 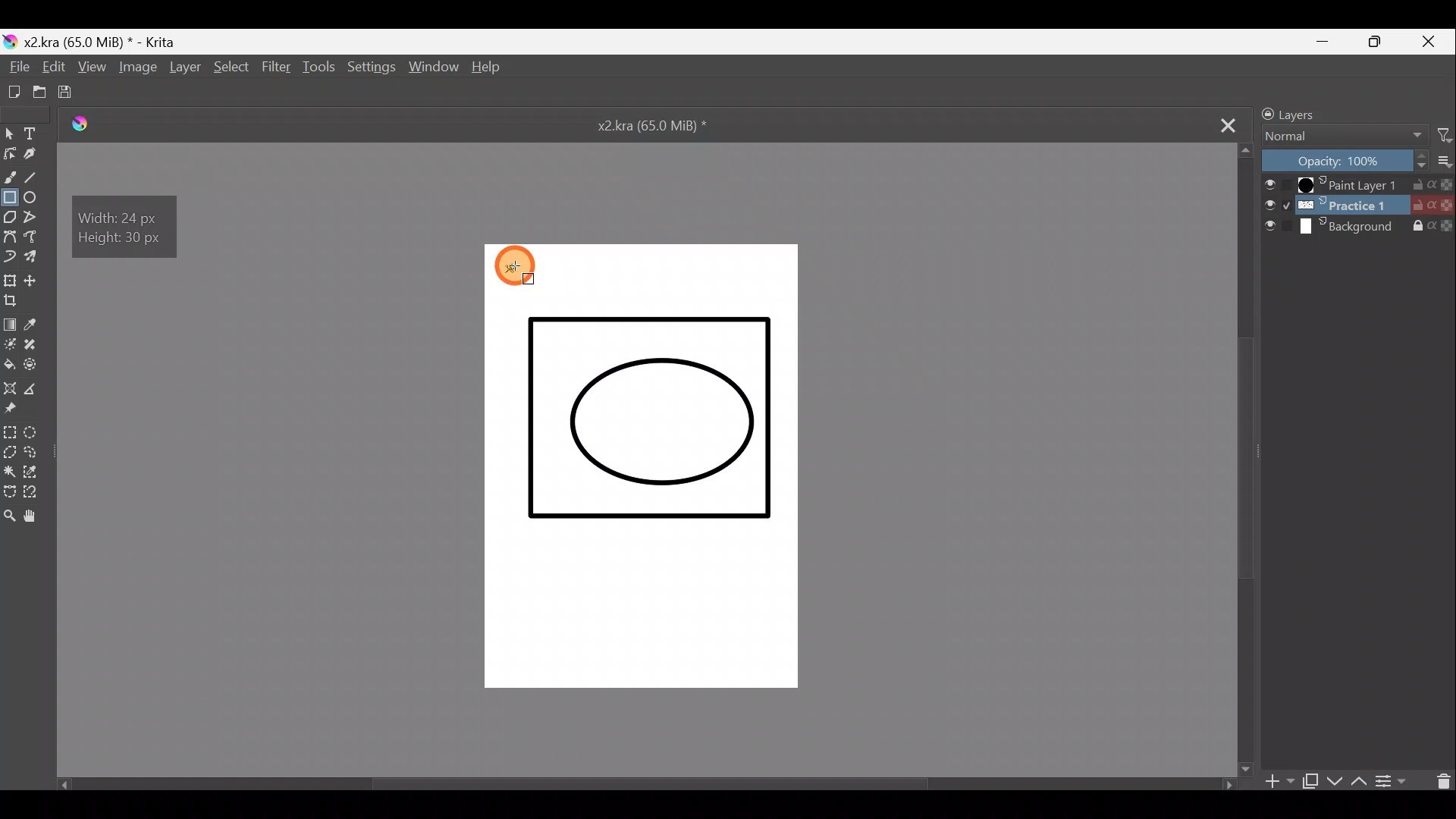 I want to click on Dynamic brush tool, so click(x=10, y=257).